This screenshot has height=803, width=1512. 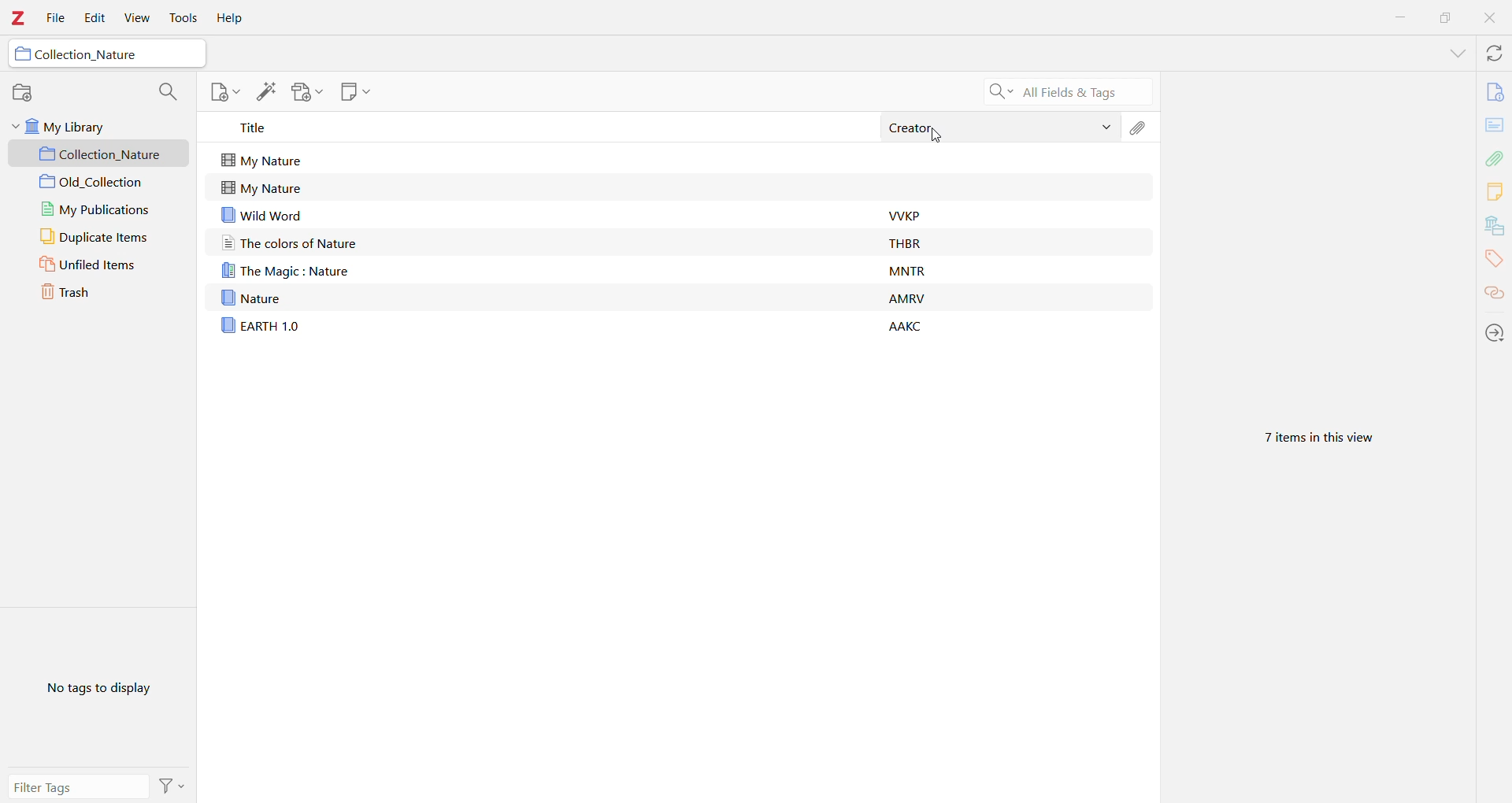 What do you see at coordinates (105, 293) in the screenshot?
I see `Trash` at bounding box center [105, 293].